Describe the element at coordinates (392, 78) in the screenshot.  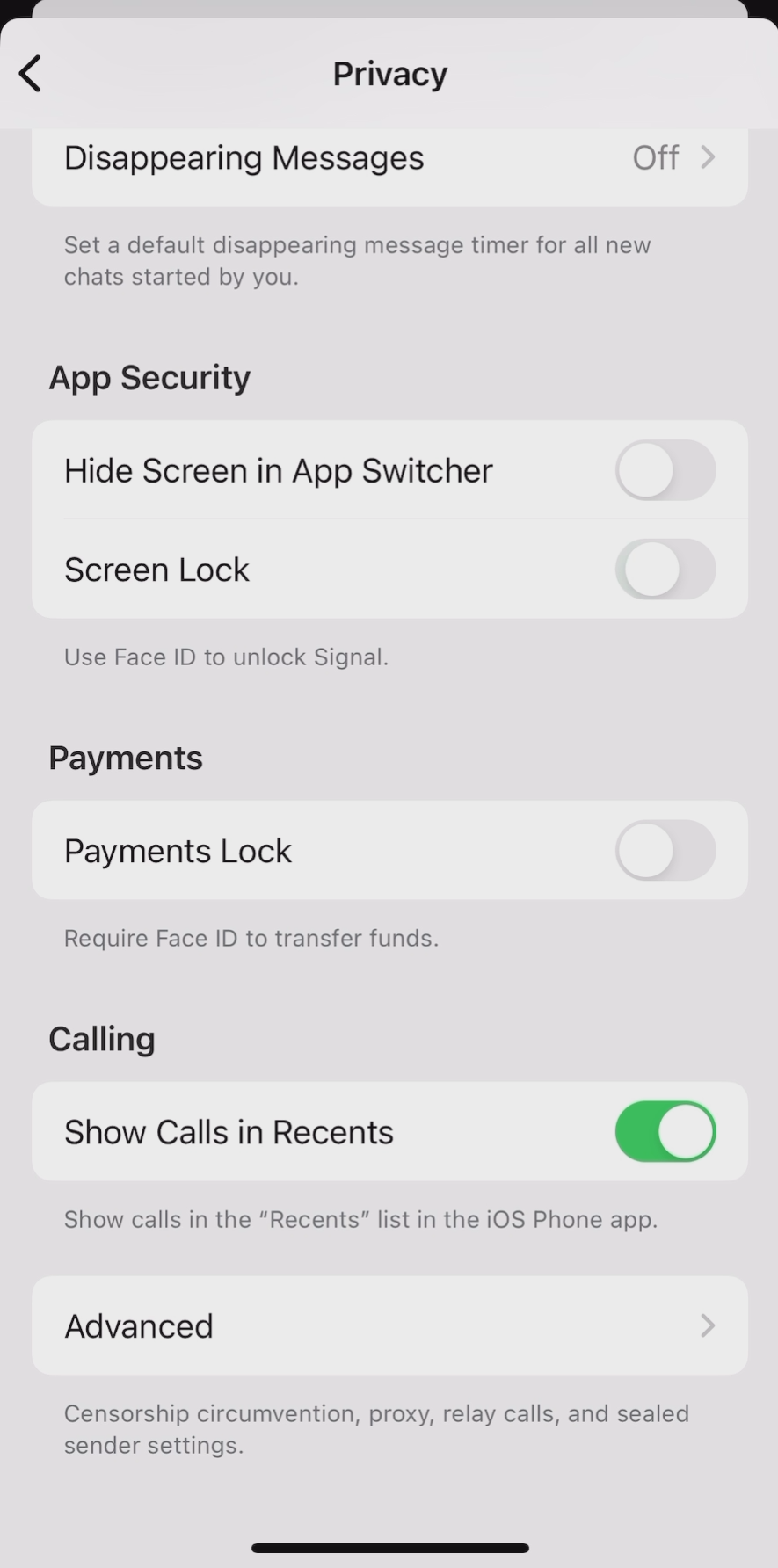
I see `Privacy` at that location.